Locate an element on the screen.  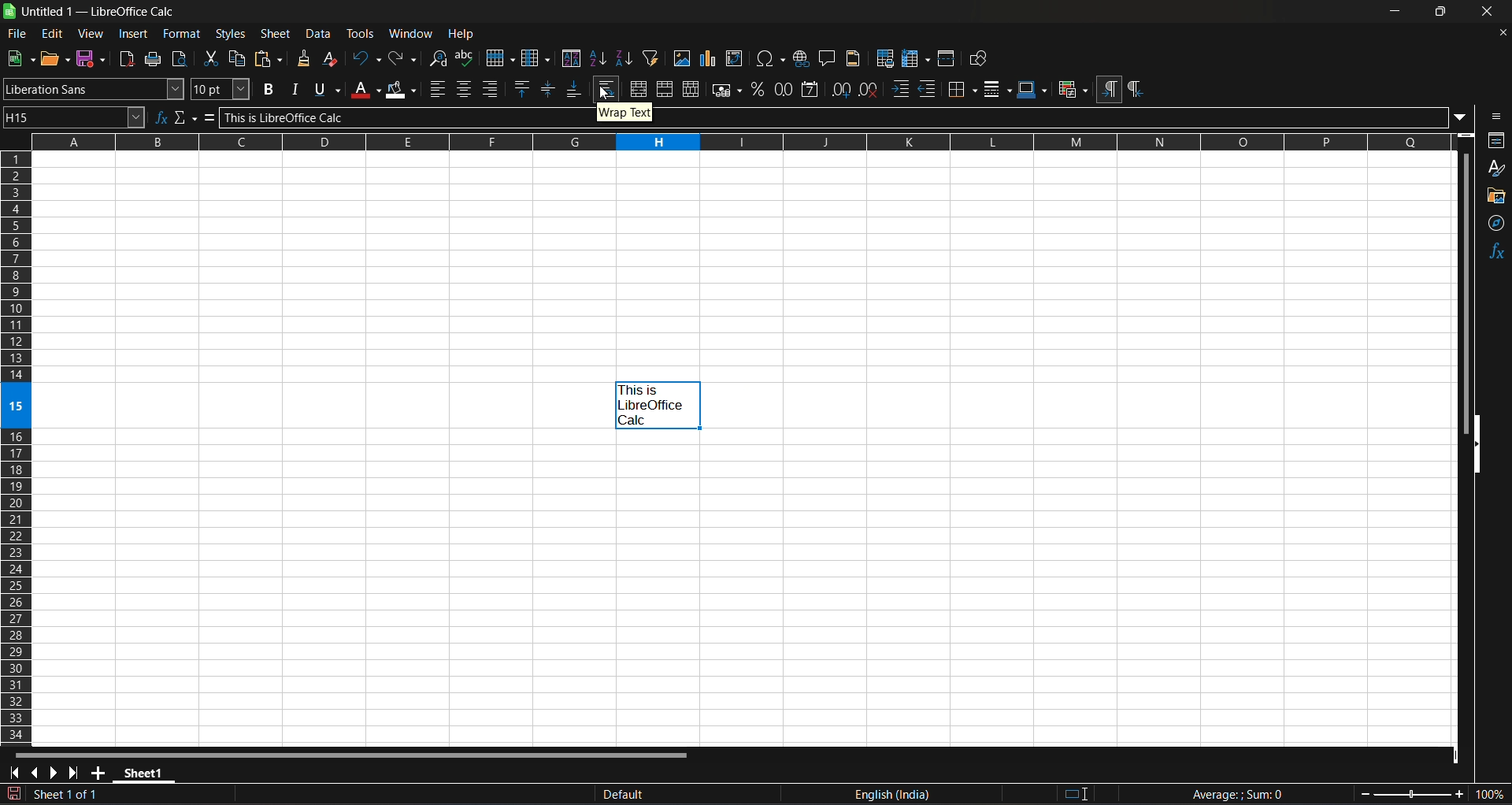
scroll to last sheet is located at coordinates (76, 772).